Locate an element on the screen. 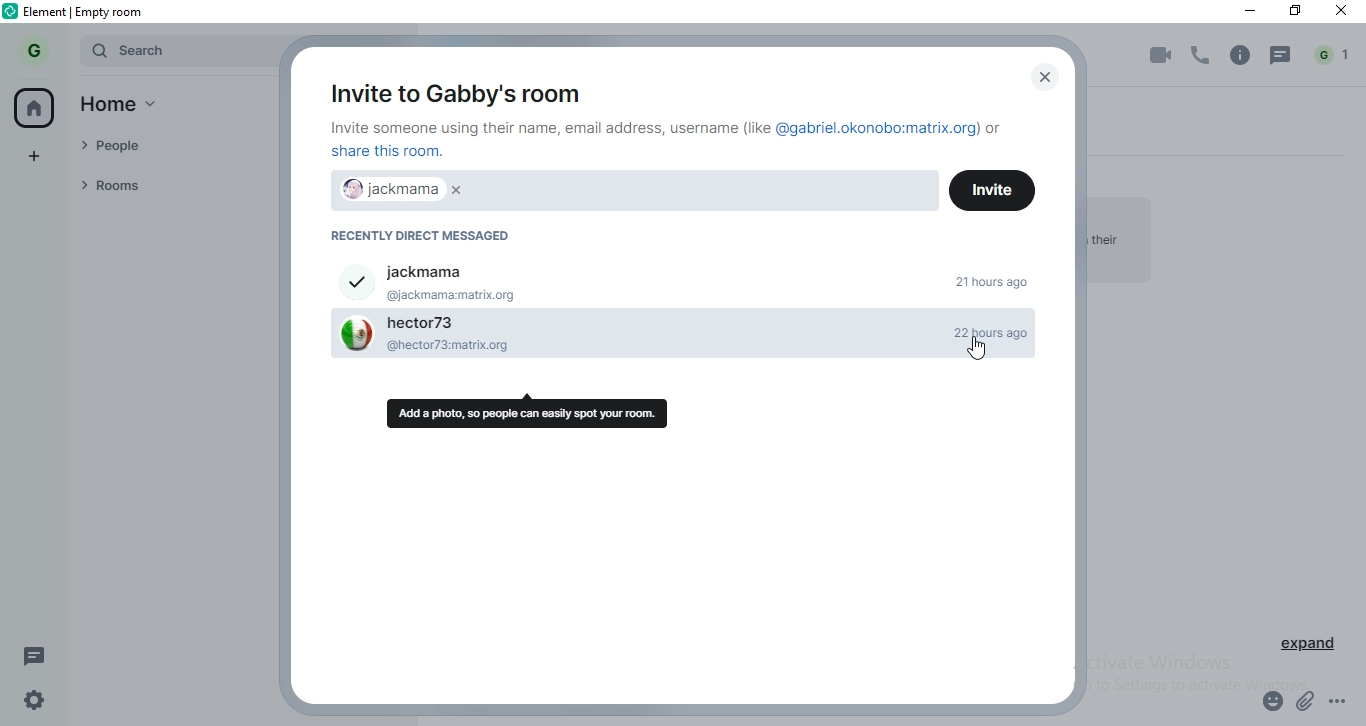  rooms is located at coordinates (165, 185).